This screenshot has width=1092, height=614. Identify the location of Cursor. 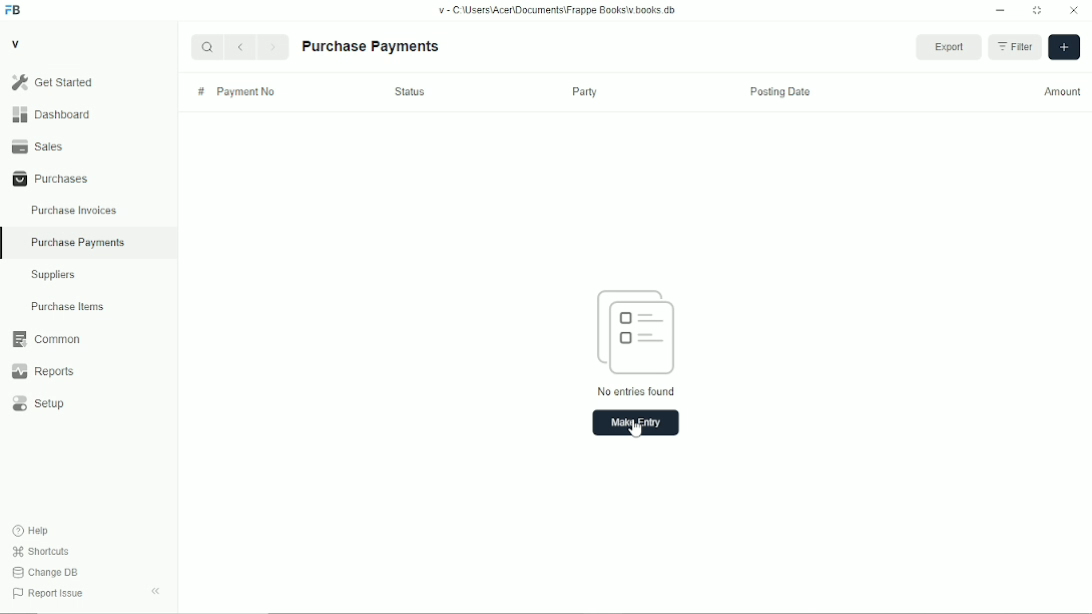
(635, 428).